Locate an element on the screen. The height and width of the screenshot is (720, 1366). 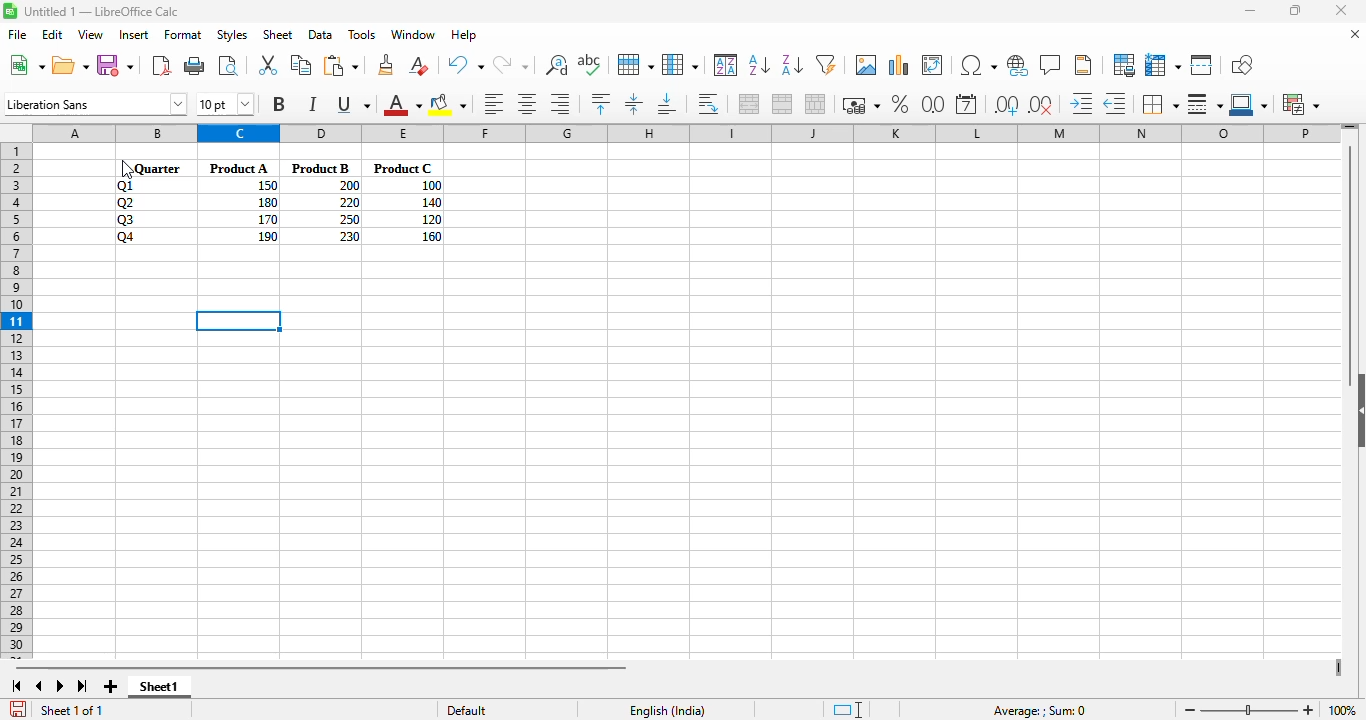
find and replace is located at coordinates (556, 64).